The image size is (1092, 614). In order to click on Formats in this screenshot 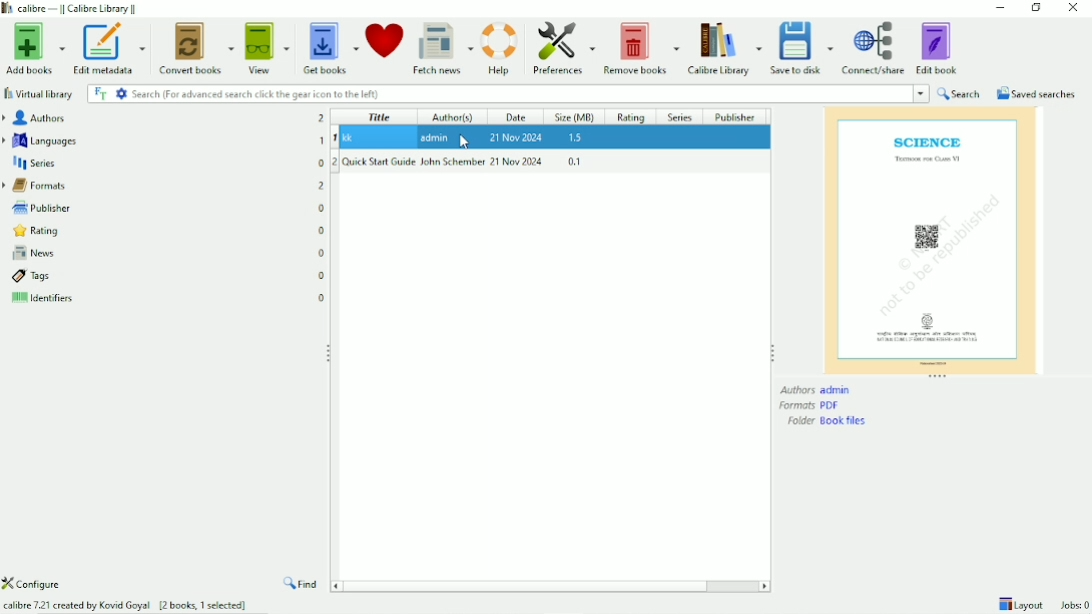, I will do `click(162, 186)`.